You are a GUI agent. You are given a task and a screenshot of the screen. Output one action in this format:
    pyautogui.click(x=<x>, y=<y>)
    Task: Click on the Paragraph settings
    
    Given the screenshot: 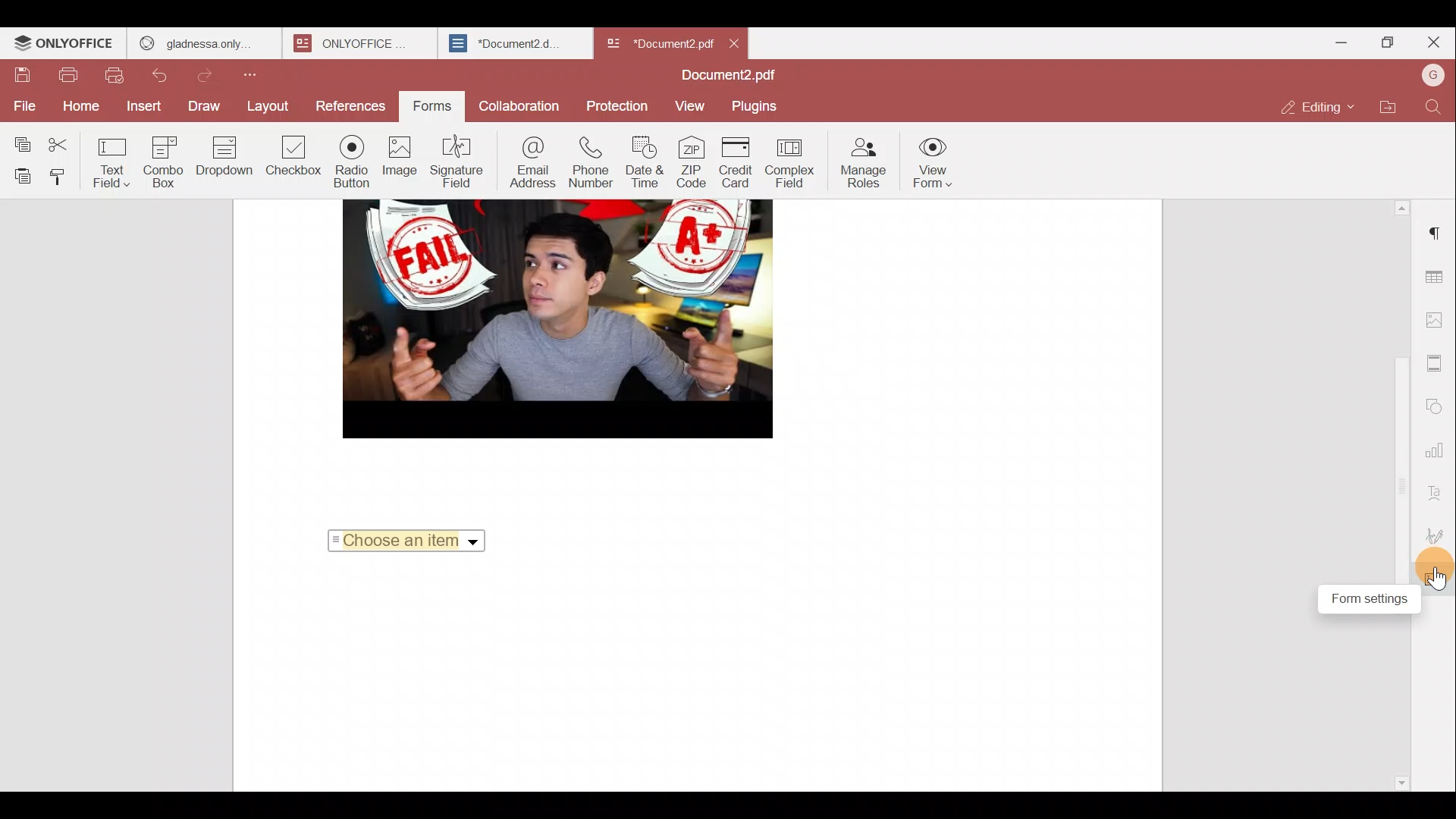 What is the action you would take?
    pyautogui.click(x=1437, y=229)
    